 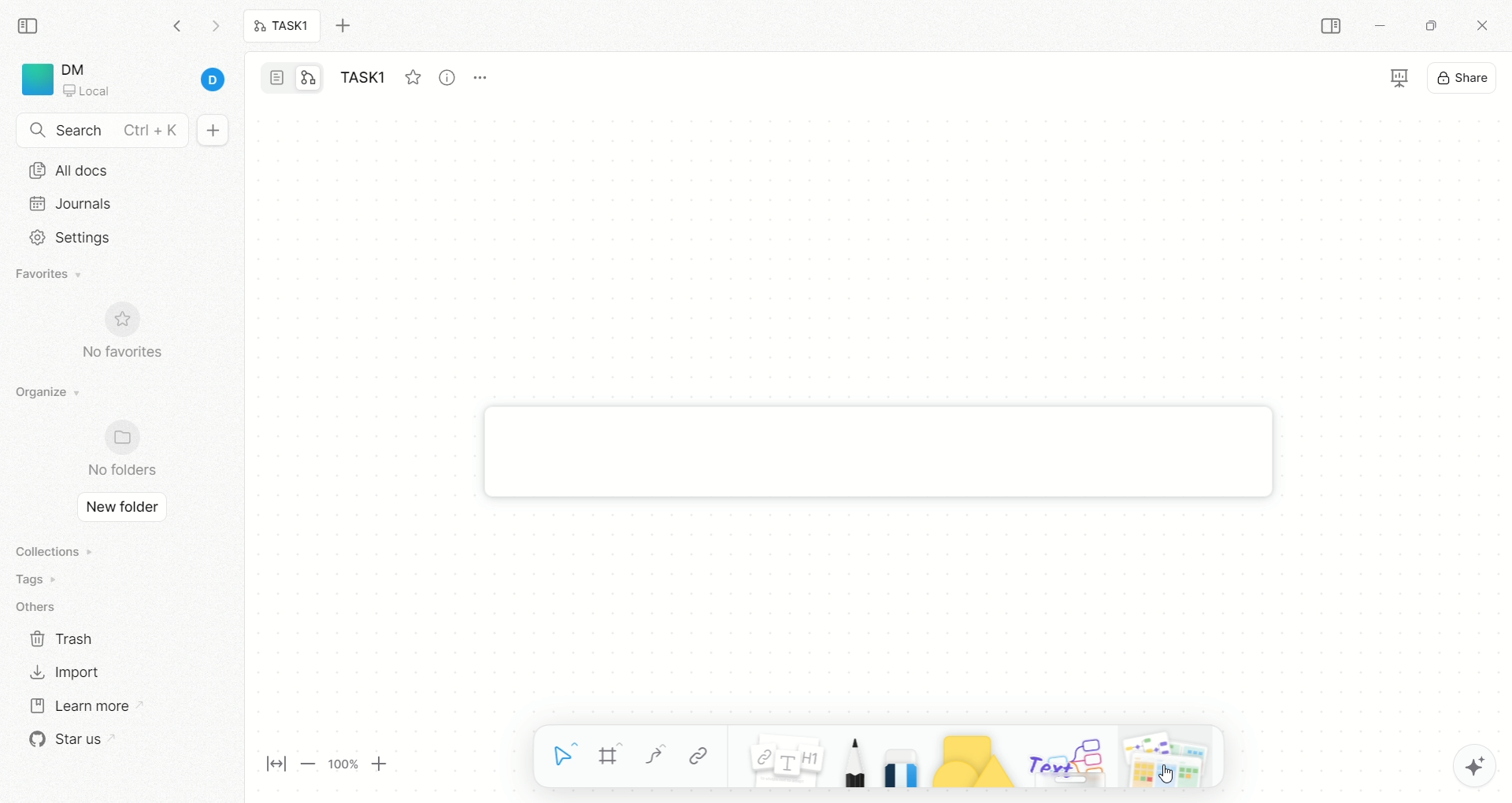 What do you see at coordinates (352, 26) in the screenshot?
I see `new tab` at bounding box center [352, 26].